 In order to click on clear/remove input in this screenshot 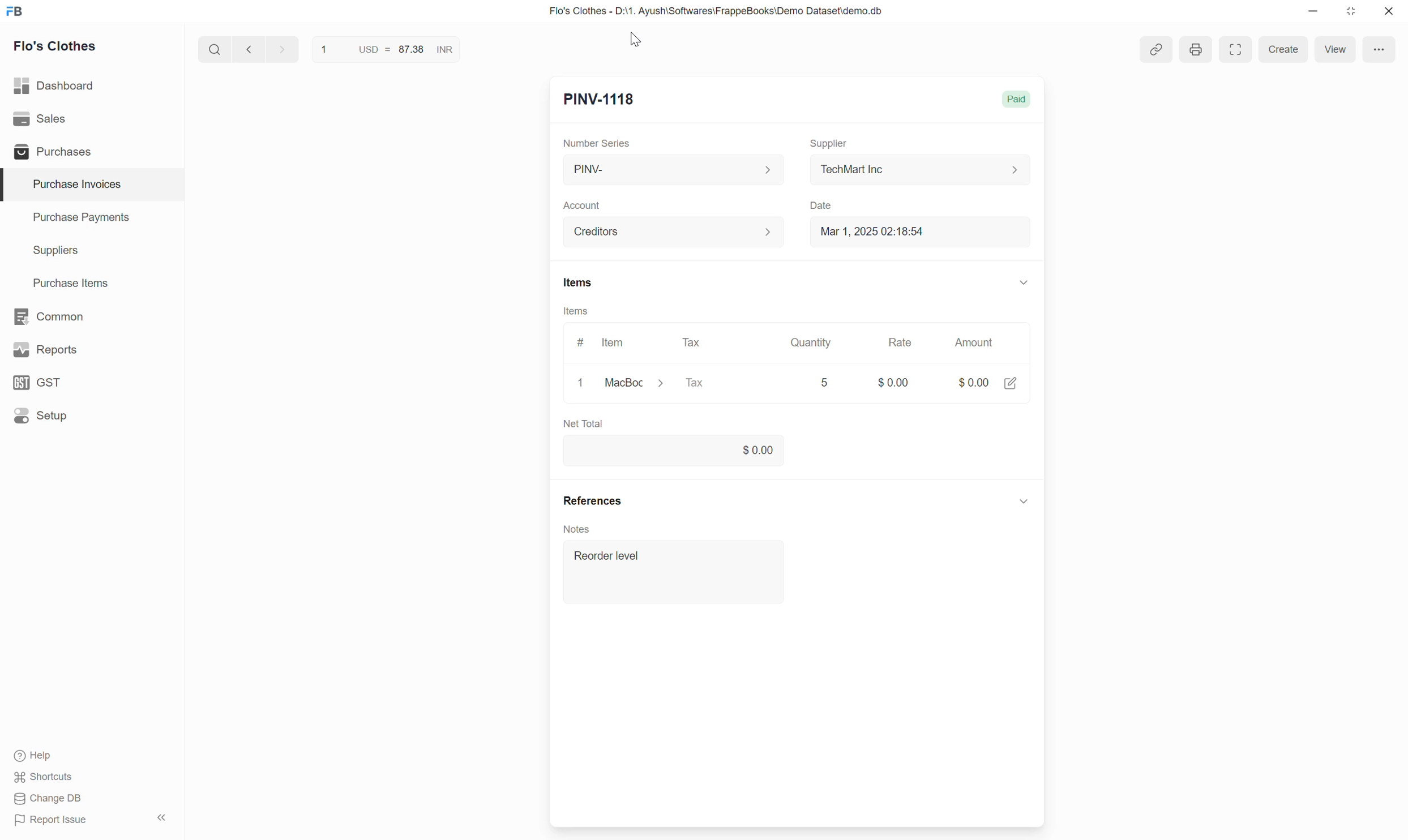, I will do `click(583, 384)`.